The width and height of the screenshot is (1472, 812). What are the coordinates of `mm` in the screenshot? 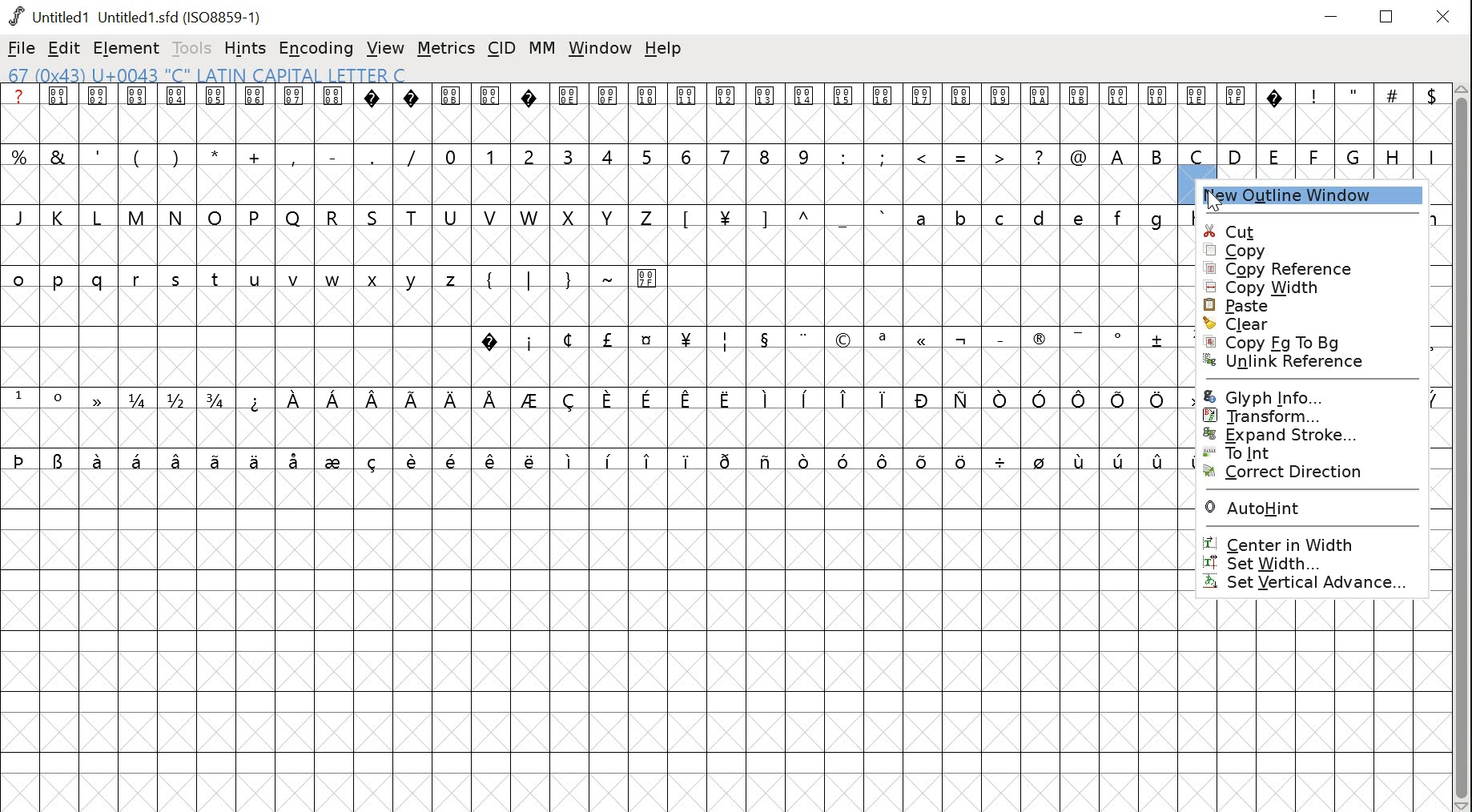 It's located at (540, 50).